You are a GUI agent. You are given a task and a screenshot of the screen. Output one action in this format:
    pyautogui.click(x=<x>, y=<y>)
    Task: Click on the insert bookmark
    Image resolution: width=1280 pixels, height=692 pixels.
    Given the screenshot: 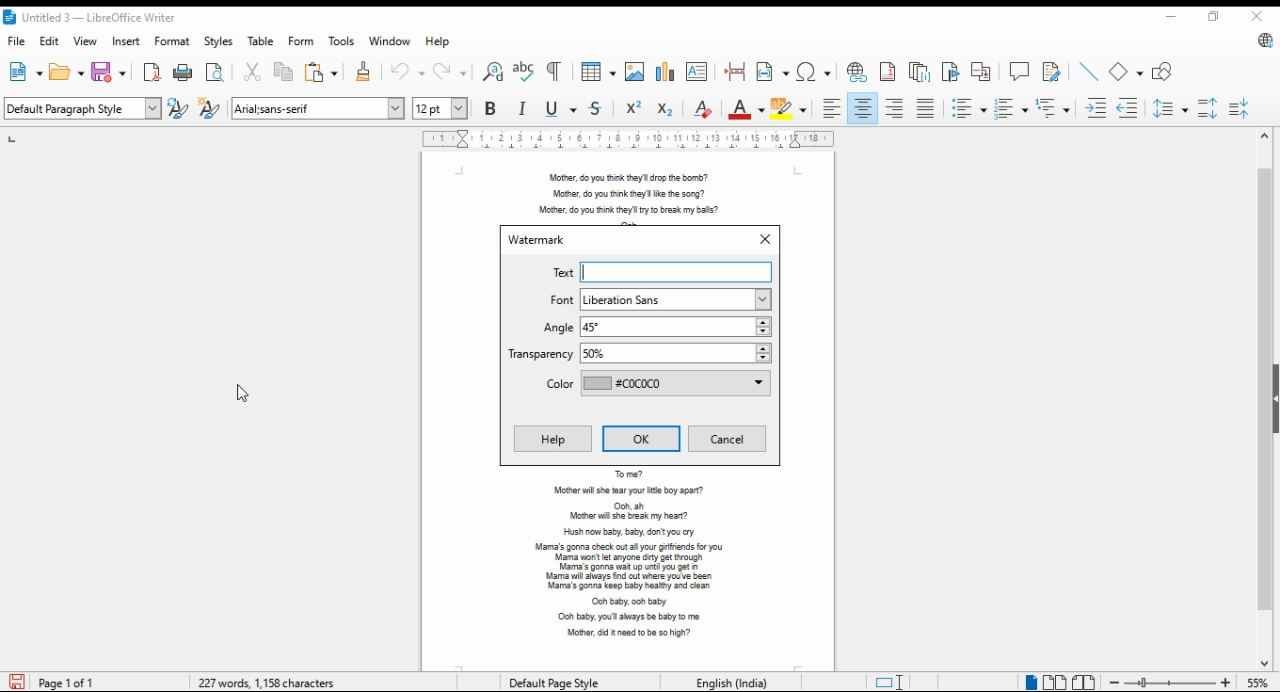 What is the action you would take?
    pyautogui.click(x=950, y=72)
    